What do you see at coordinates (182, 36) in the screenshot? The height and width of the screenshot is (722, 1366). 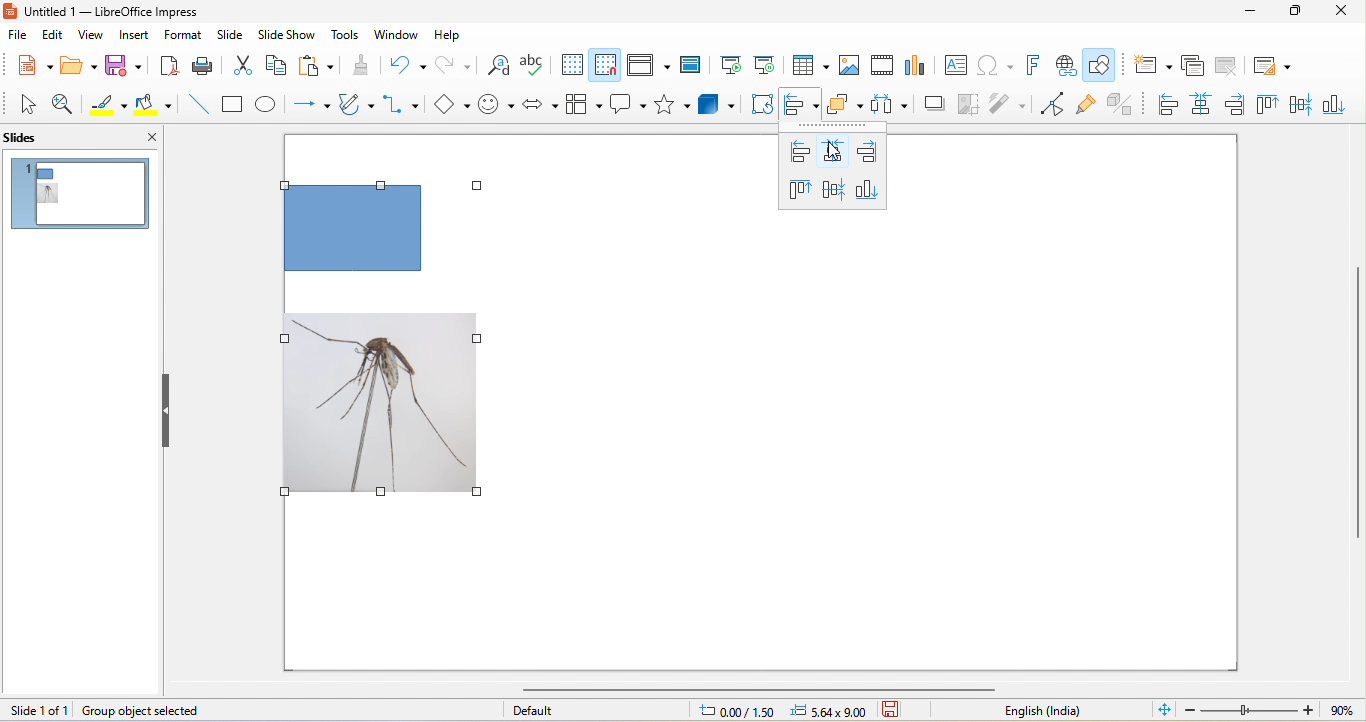 I see `format` at bounding box center [182, 36].